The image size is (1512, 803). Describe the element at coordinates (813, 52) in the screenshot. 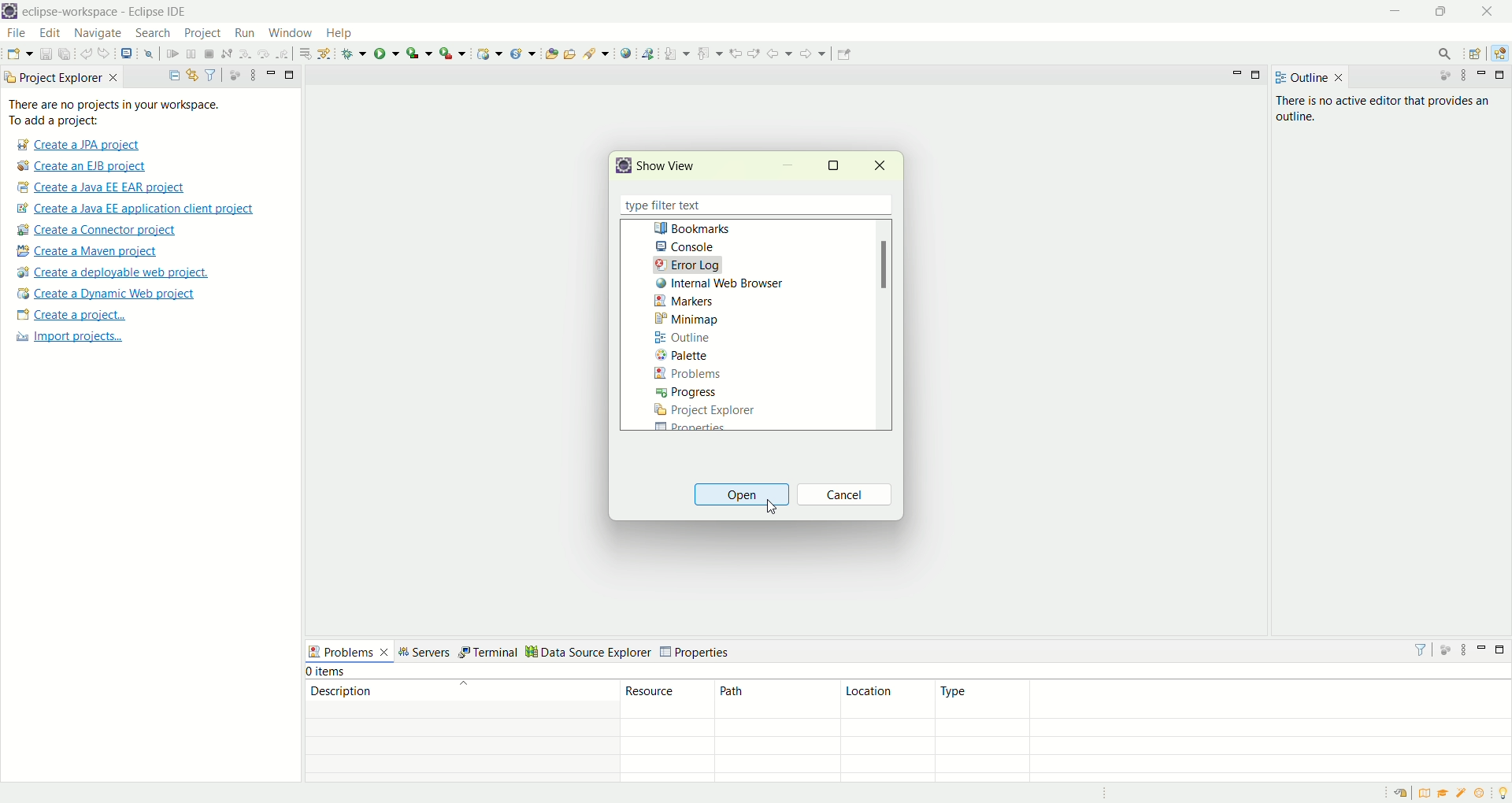

I see `forward` at that location.